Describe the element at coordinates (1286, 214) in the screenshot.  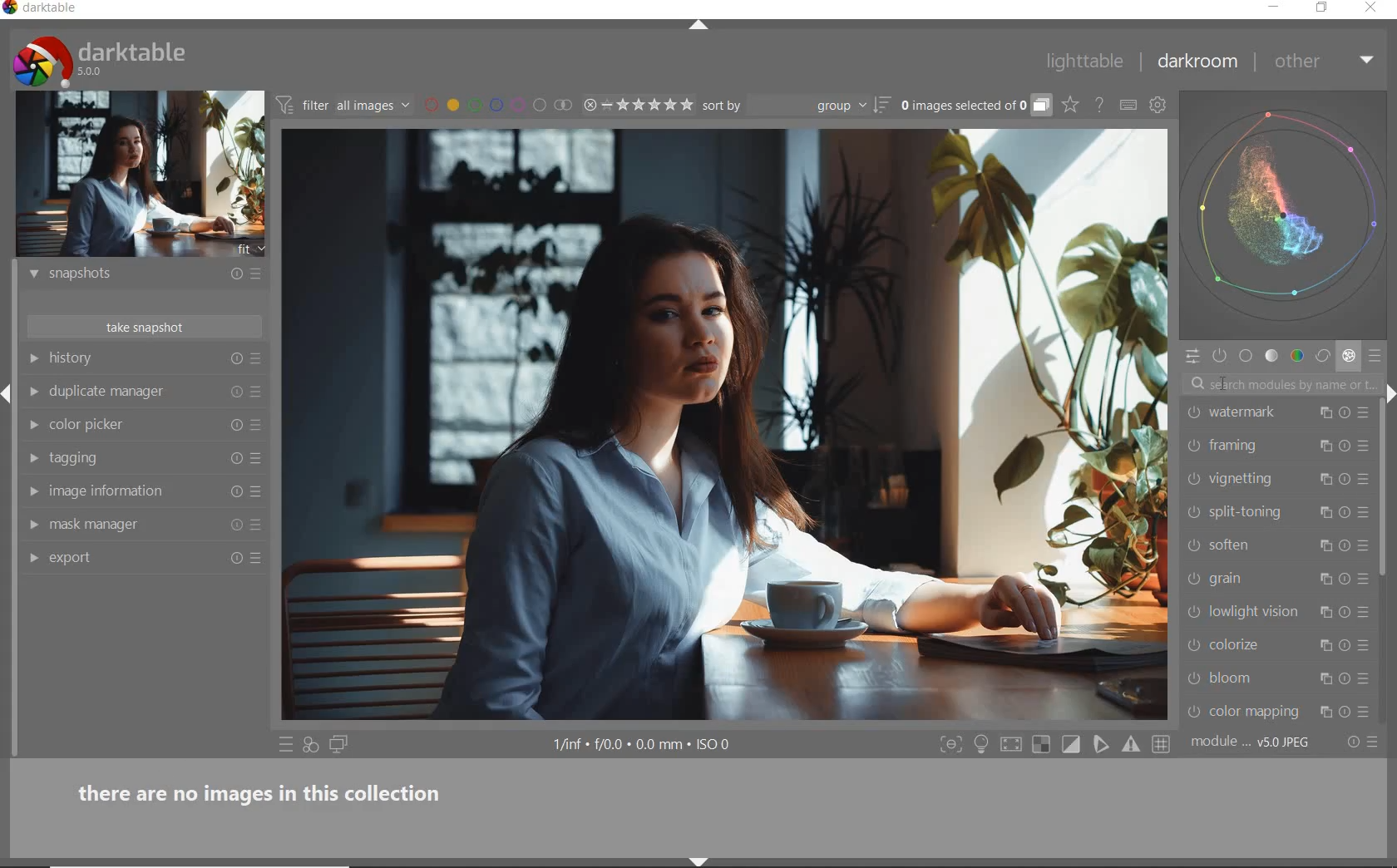
I see `waveform` at that location.